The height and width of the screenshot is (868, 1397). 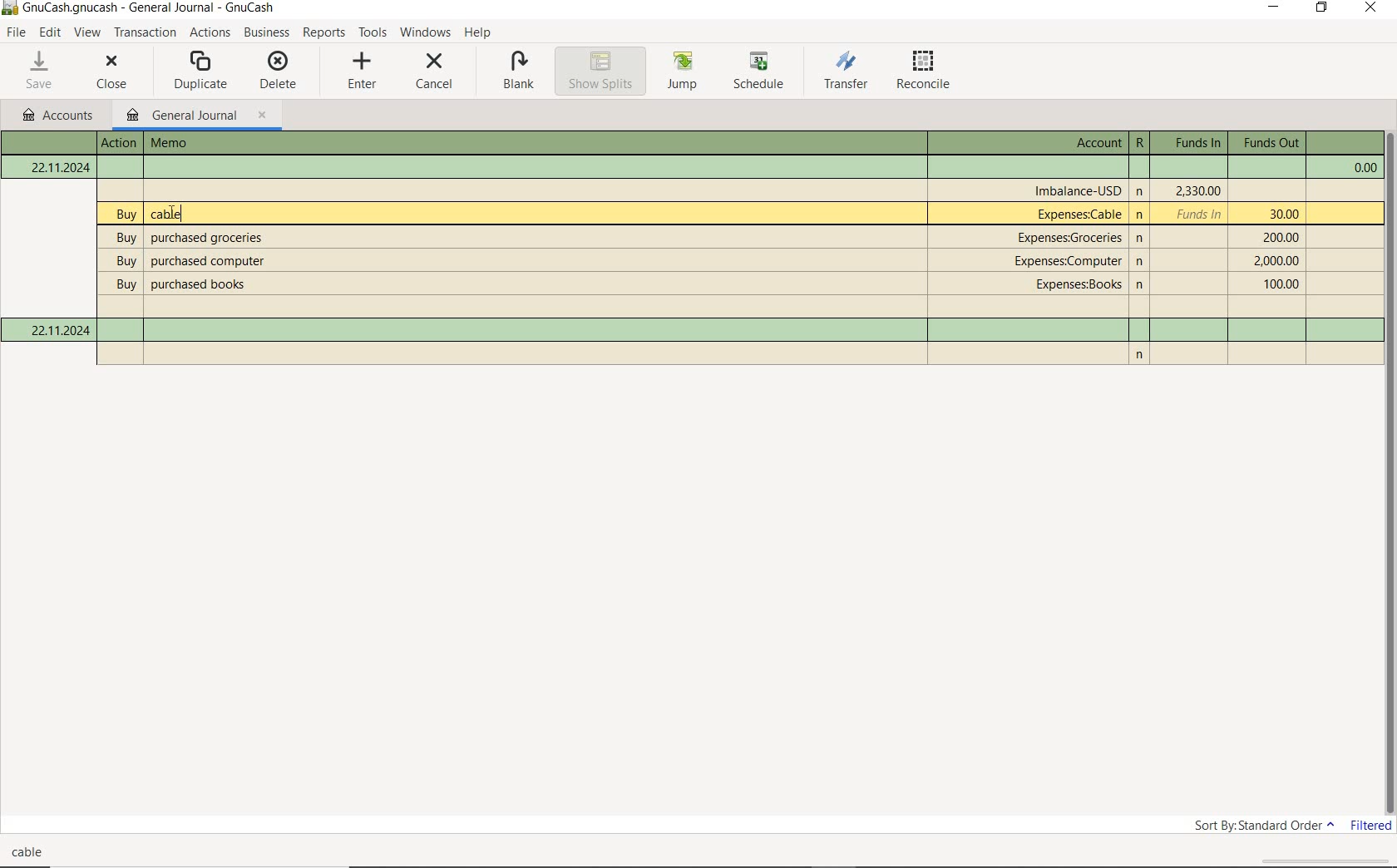 I want to click on EDIT, so click(x=50, y=33).